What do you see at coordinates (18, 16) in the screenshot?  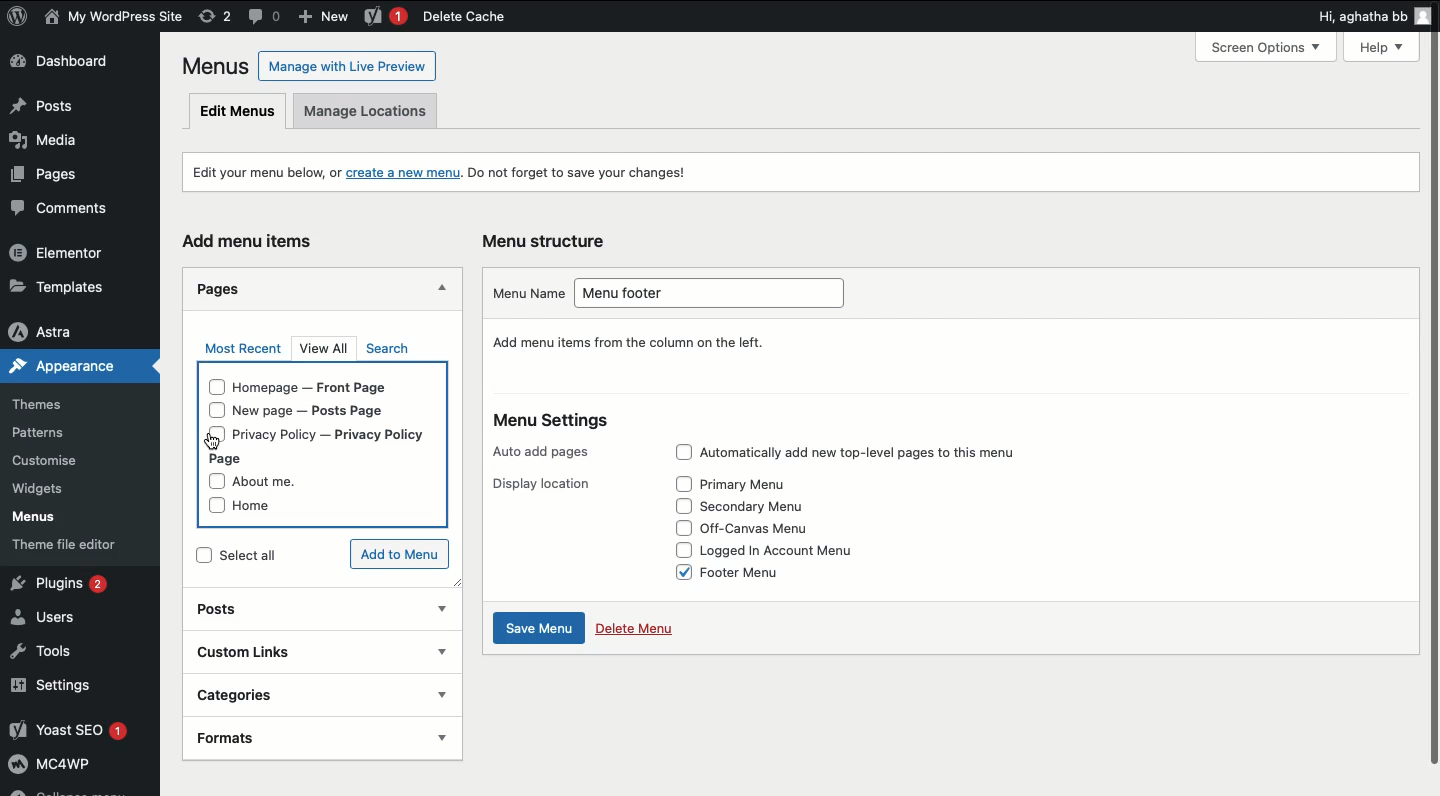 I see `WordPress Logo` at bounding box center [18, 16].